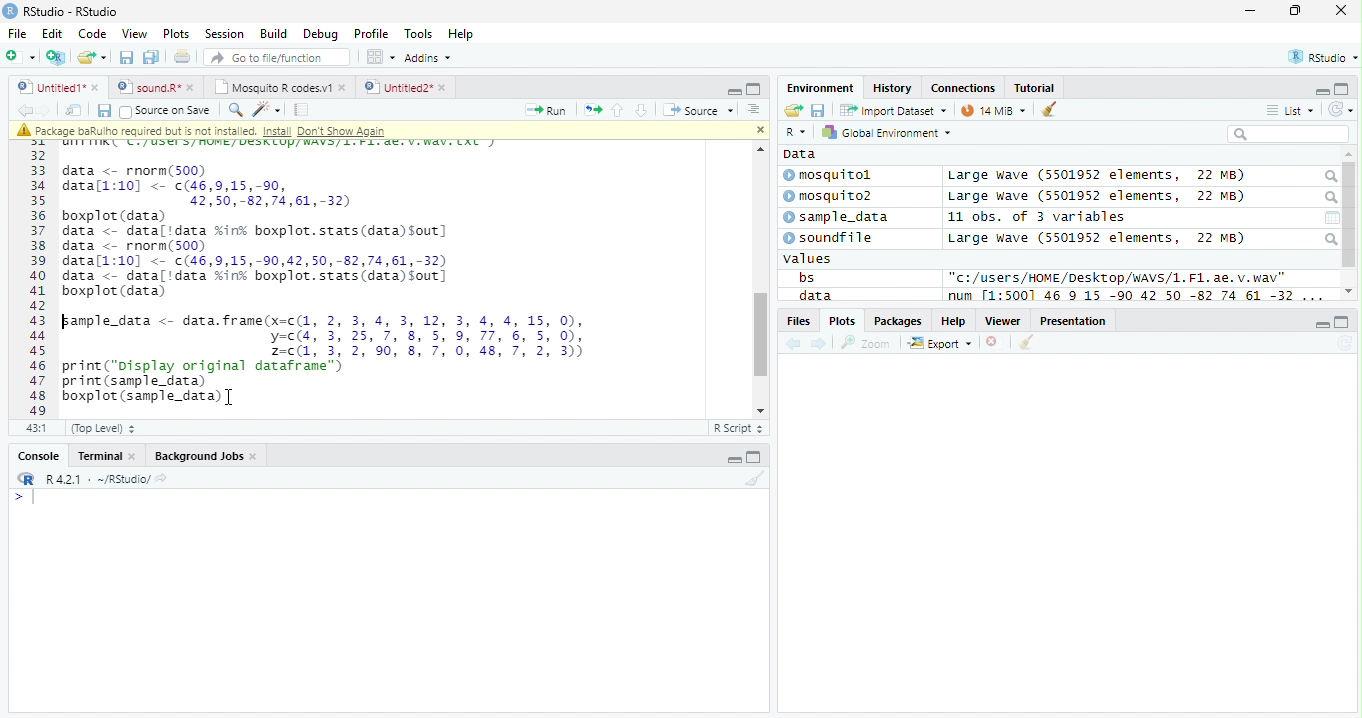  What do you see at coordinates (204, 456) in the screenshot?
I see `Background Jobs` at bounding box center [204, 456].